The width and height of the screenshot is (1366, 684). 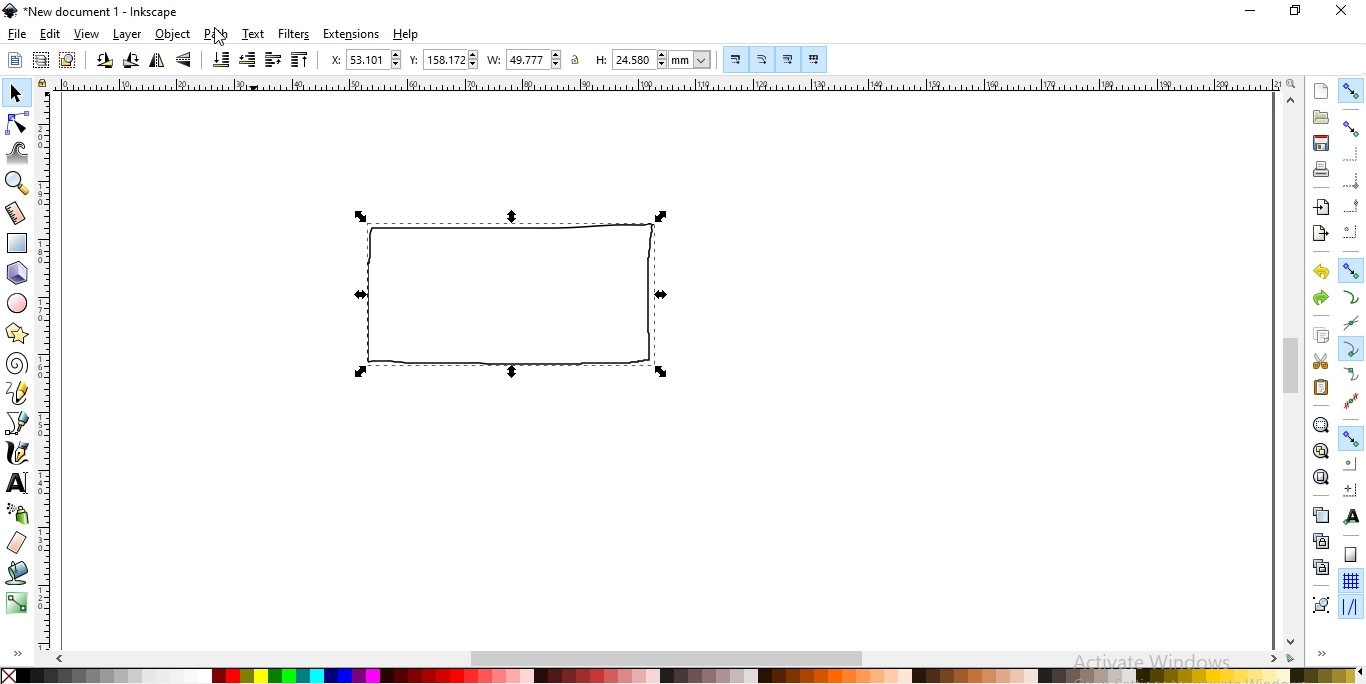 I want to click on draw bezier curves and straight lines, so click(x=18, y=423).